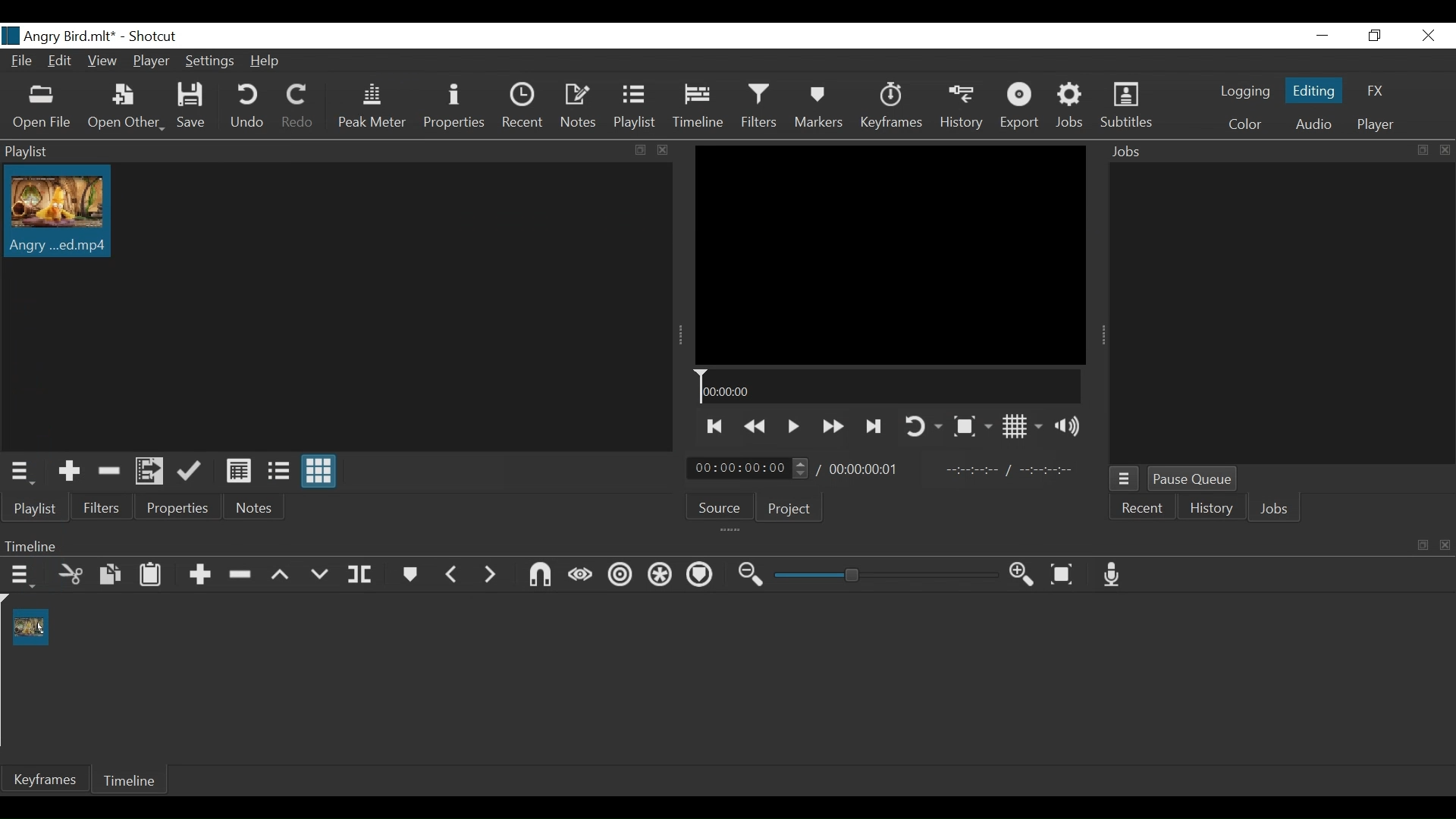 The width and height of the screenshot is (1456, 819). Describe the element at coordinates (1281, 312) in the screenshot. I see `Jobs Panel` at that location.